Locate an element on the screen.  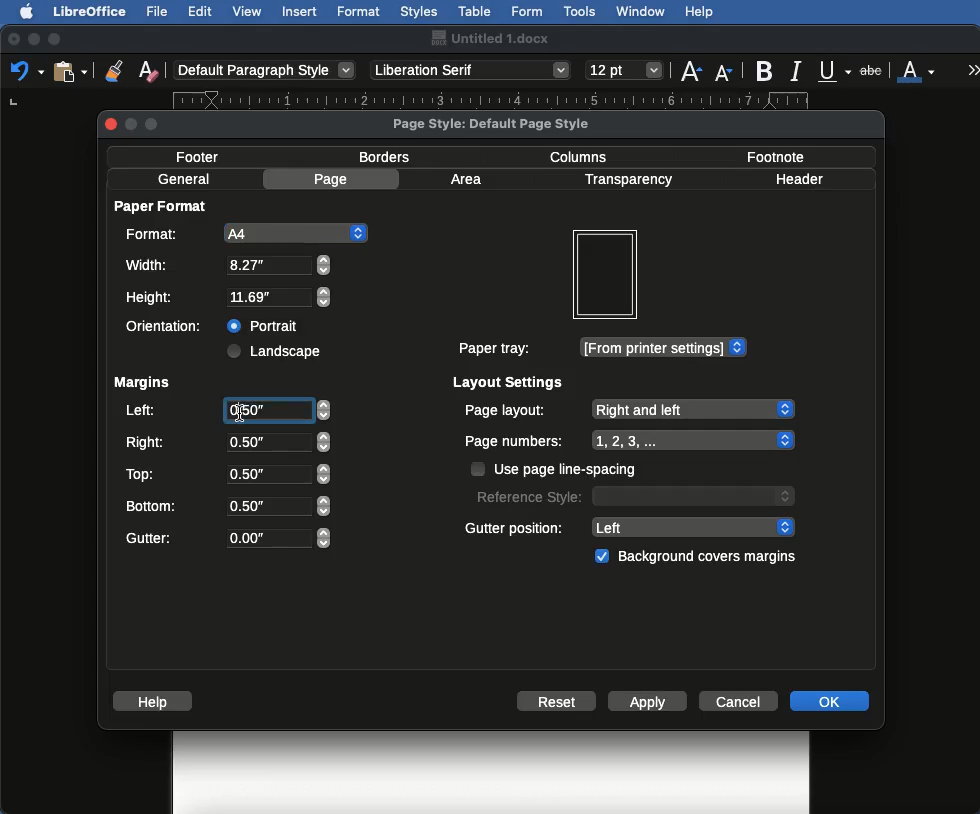
Paper format is located at coordinates (162, 205).